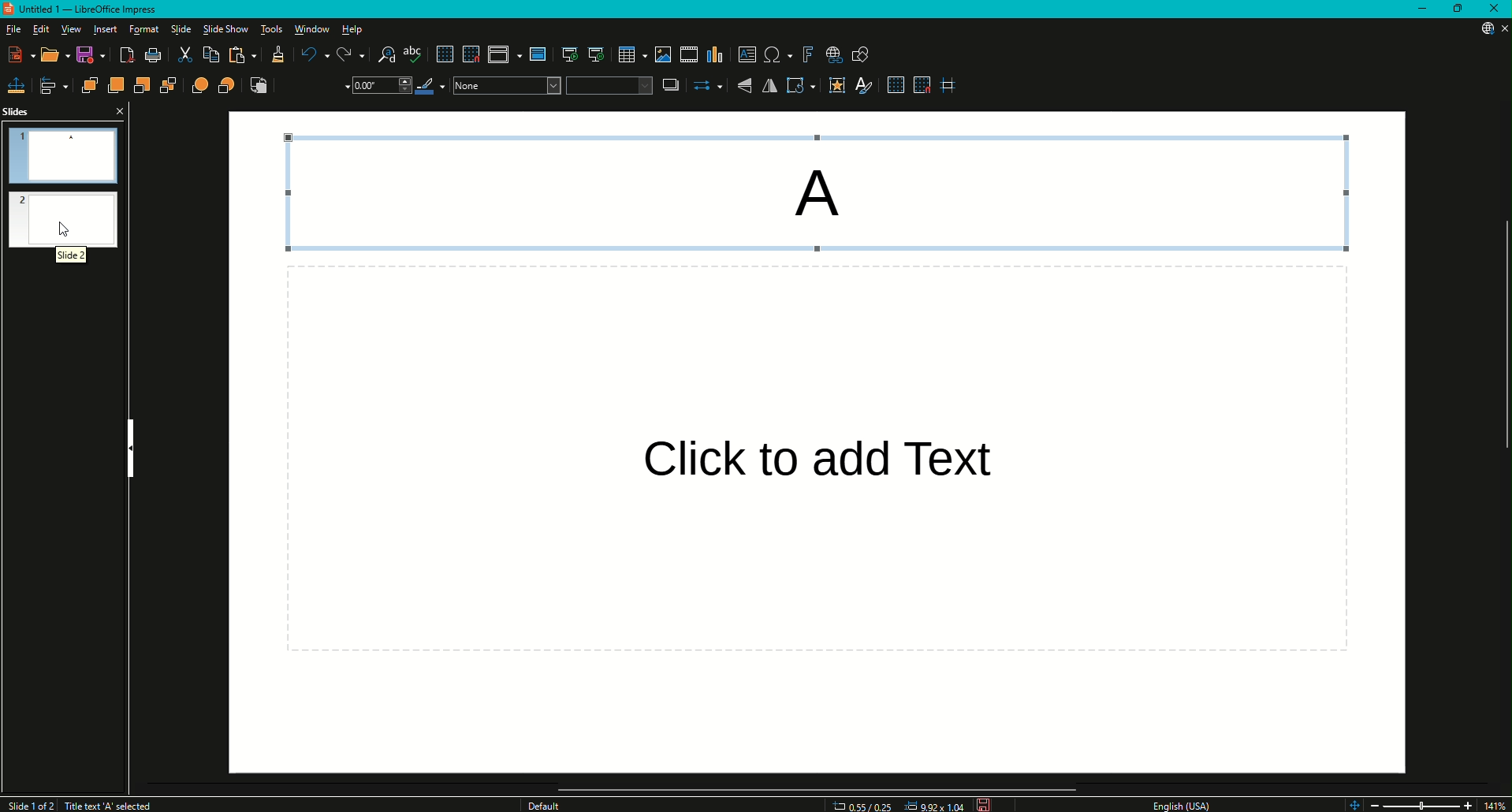 This screenshot has width=1512, height=812. What do you see at coordinates (143, 29) in the screenshot?
I see `Format` at bounding box center [143, 29].